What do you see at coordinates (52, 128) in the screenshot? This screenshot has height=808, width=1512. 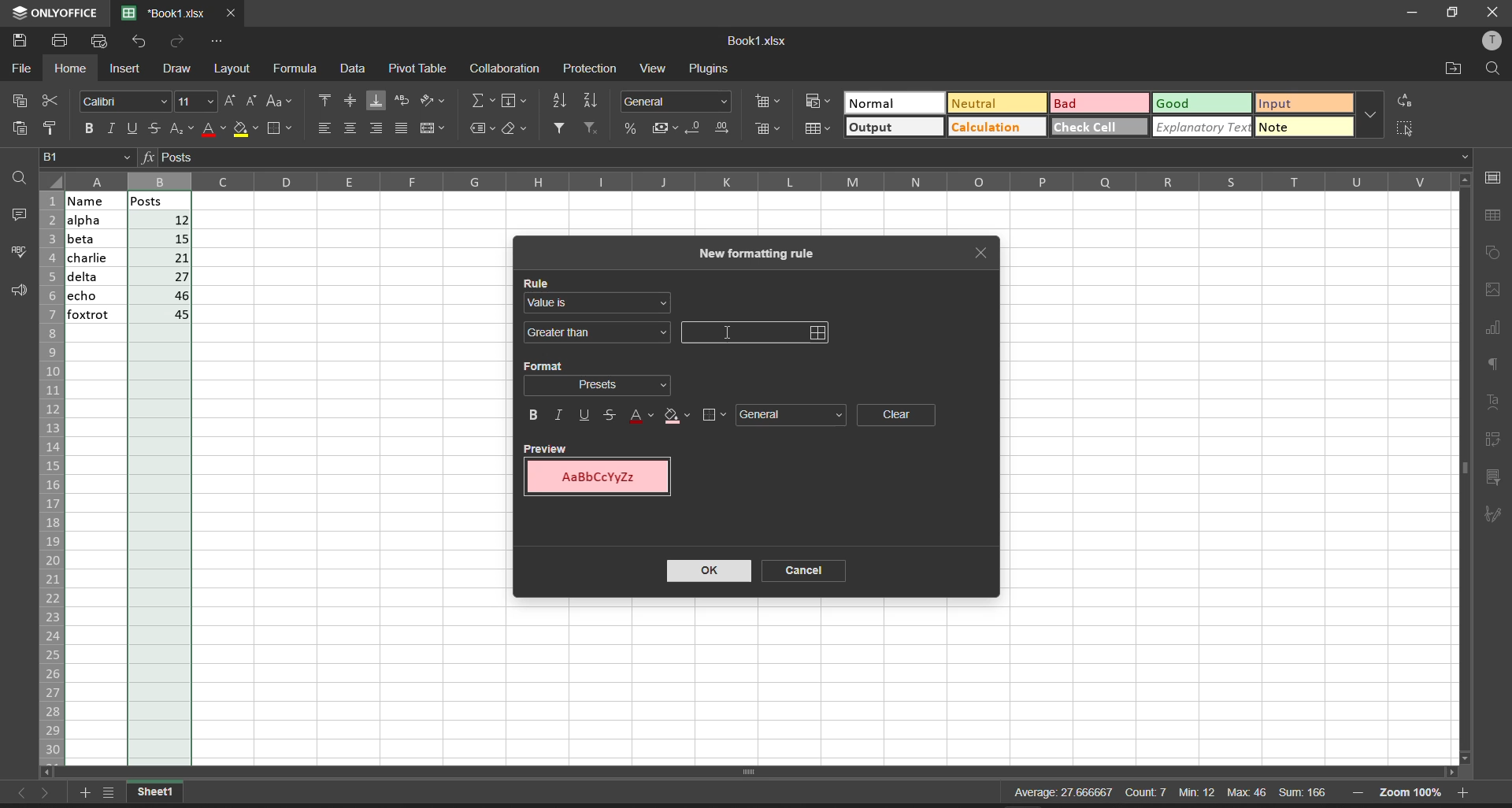 I see `copy style` at bounding box center [52, 128].